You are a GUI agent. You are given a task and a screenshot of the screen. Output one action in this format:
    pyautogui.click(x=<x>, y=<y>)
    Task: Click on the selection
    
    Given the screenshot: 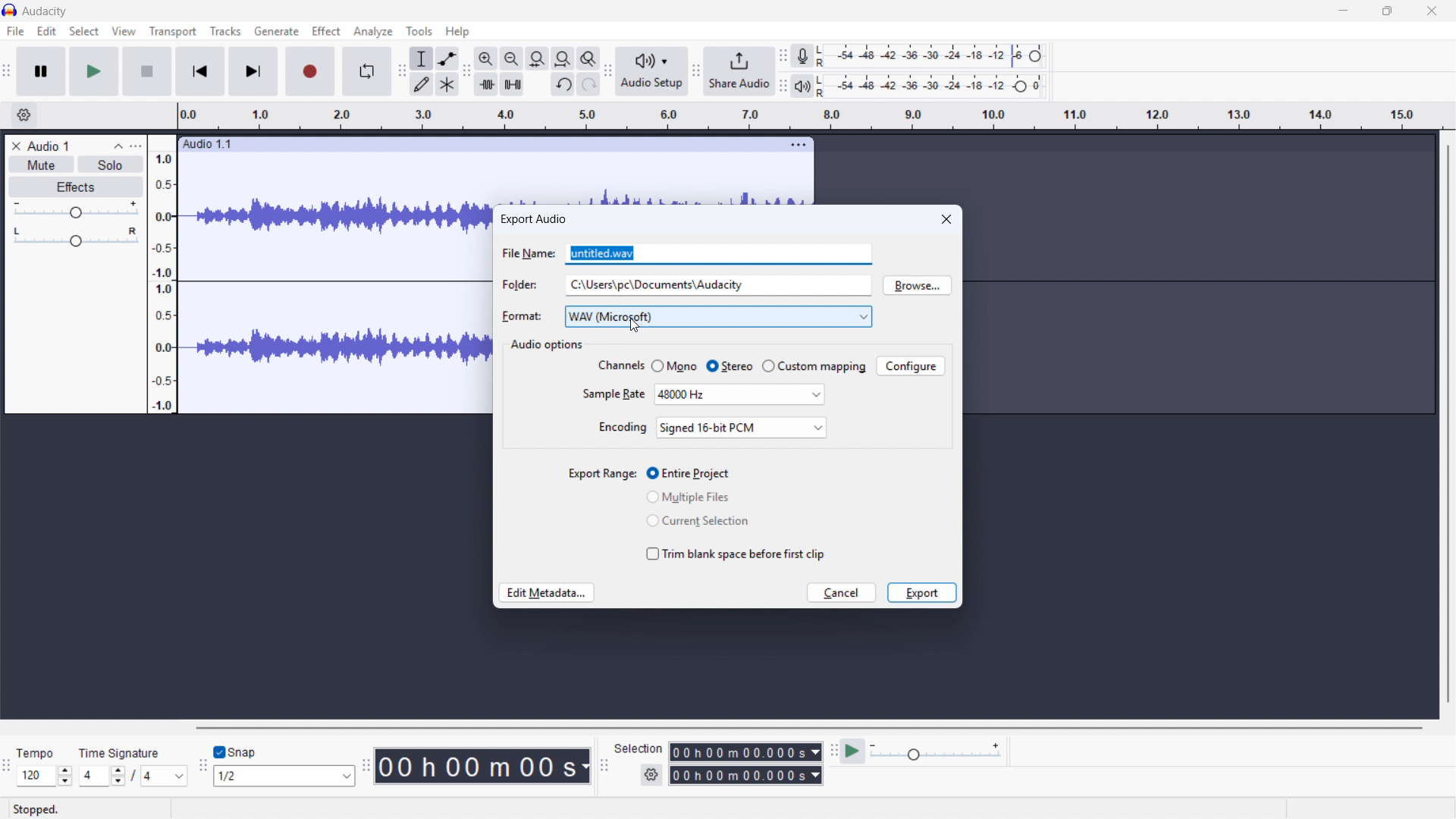 What is the action you would take?
    pyautogui.click(x=639, y=748)
    